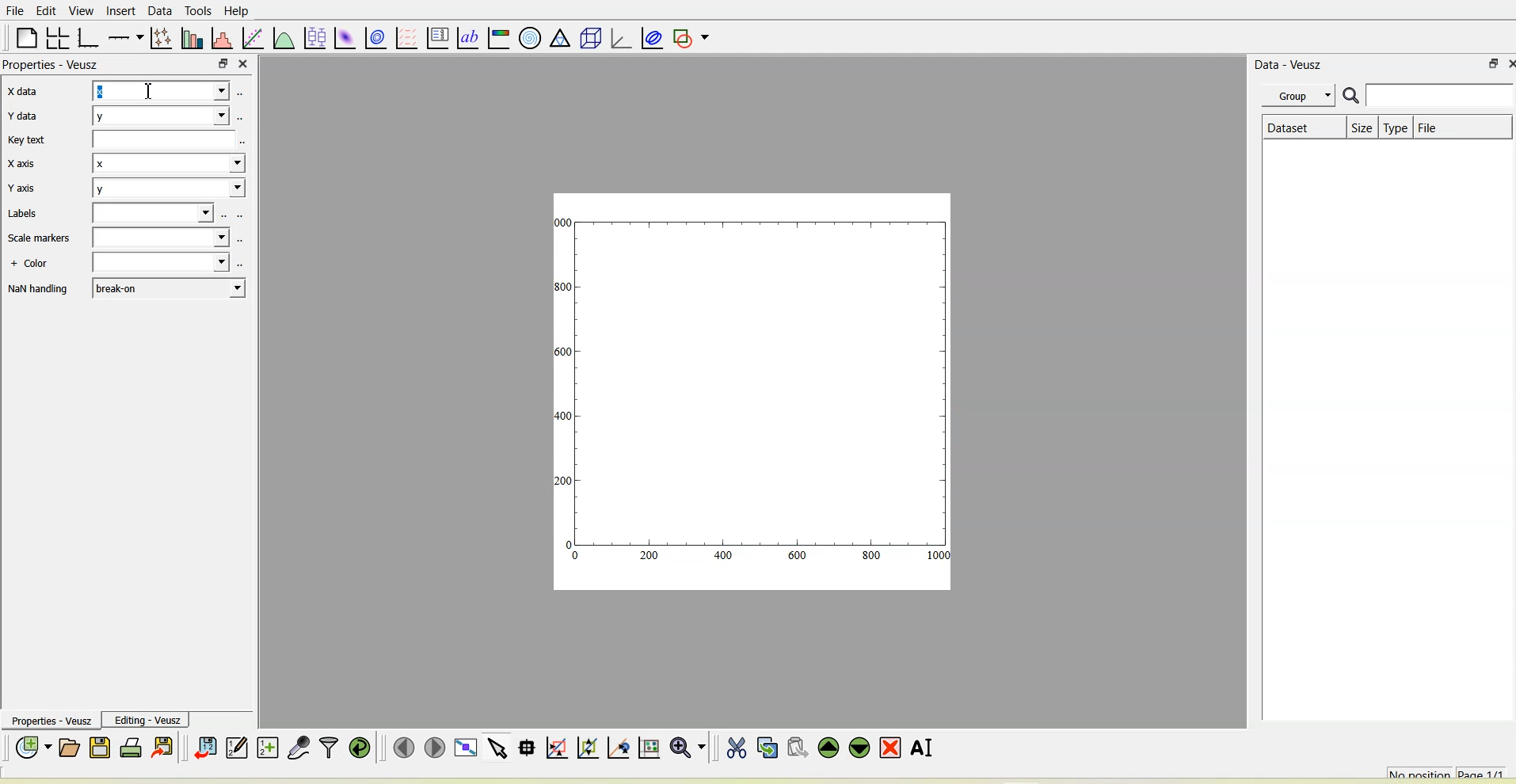 This screenshot has width=1516, height=784. I want to click on 1000, so click(939, 556).